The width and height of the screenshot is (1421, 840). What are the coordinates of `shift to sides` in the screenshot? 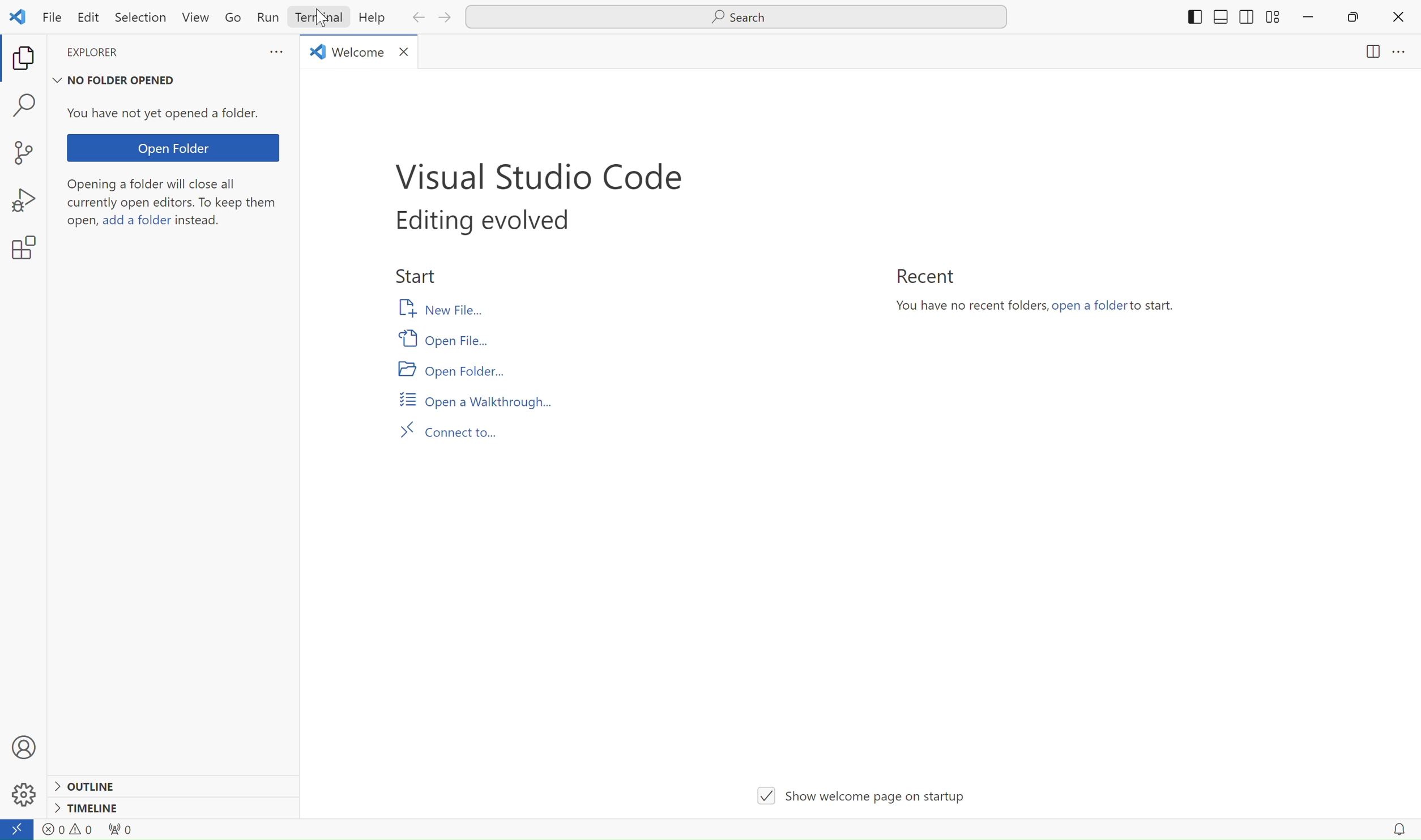 It's located at (1224, 16).